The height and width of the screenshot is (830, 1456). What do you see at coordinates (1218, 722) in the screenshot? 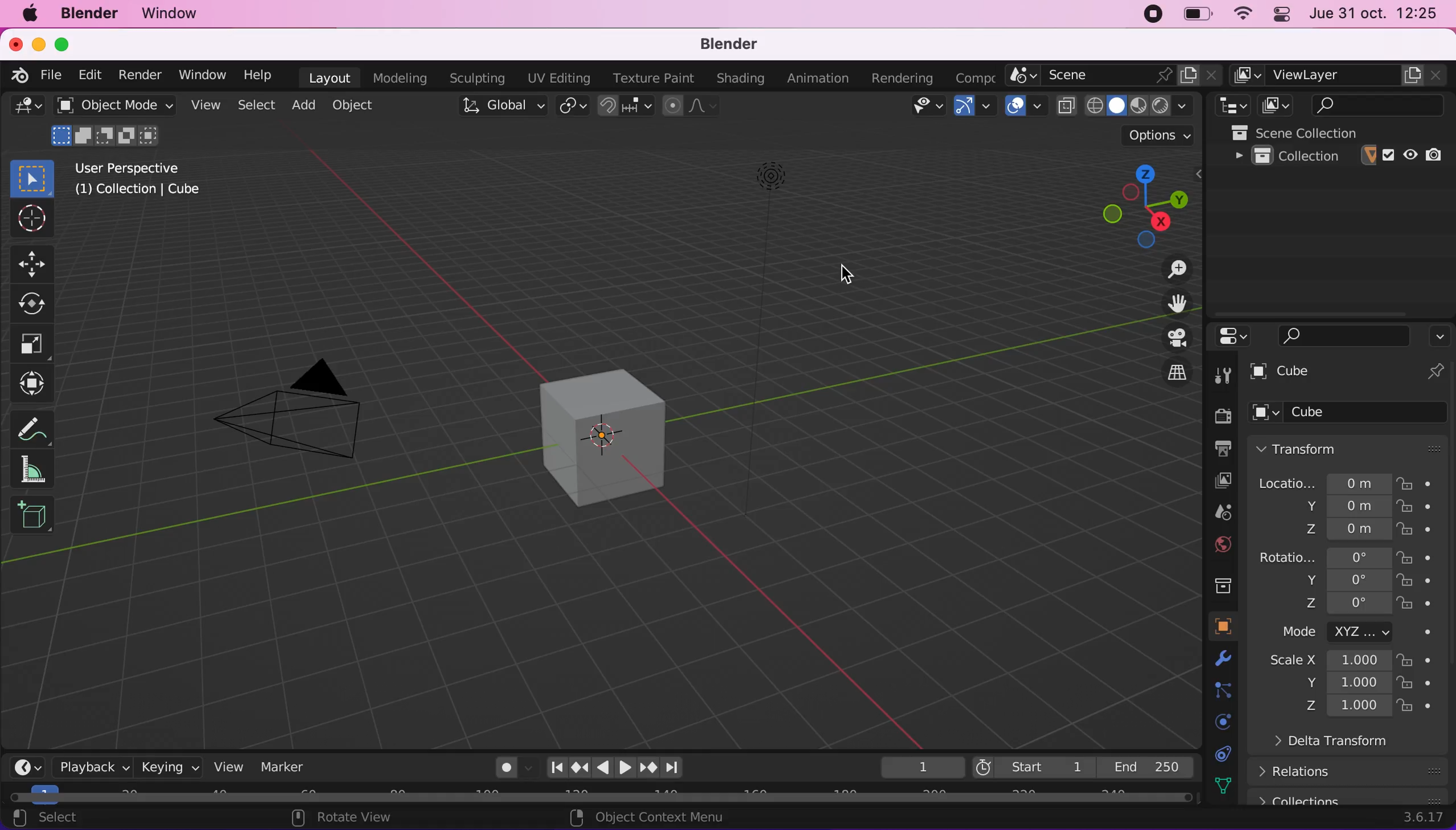
I see `physics` at bounding box center [1218, 722].